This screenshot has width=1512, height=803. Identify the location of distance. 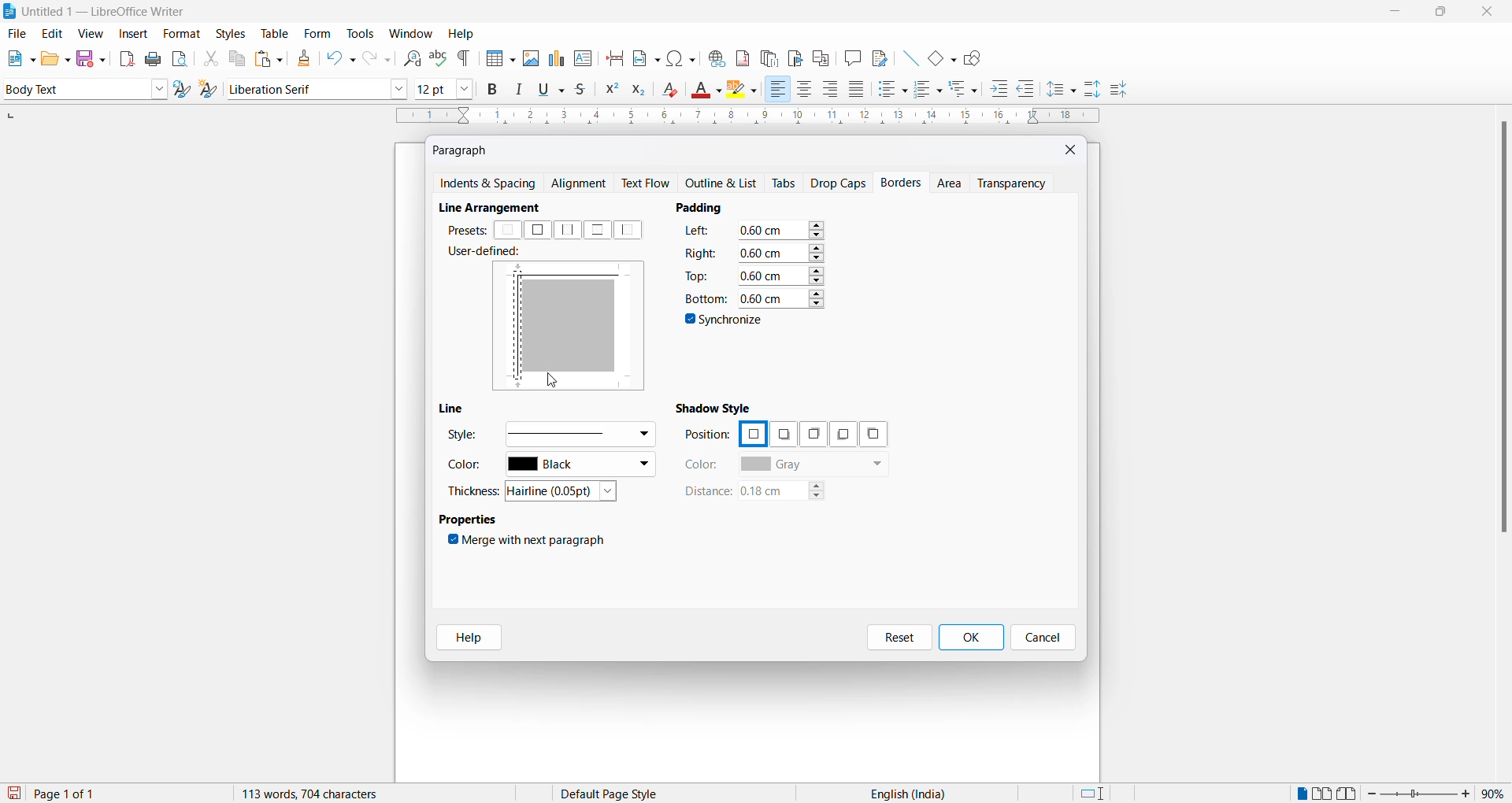
(706, 492).